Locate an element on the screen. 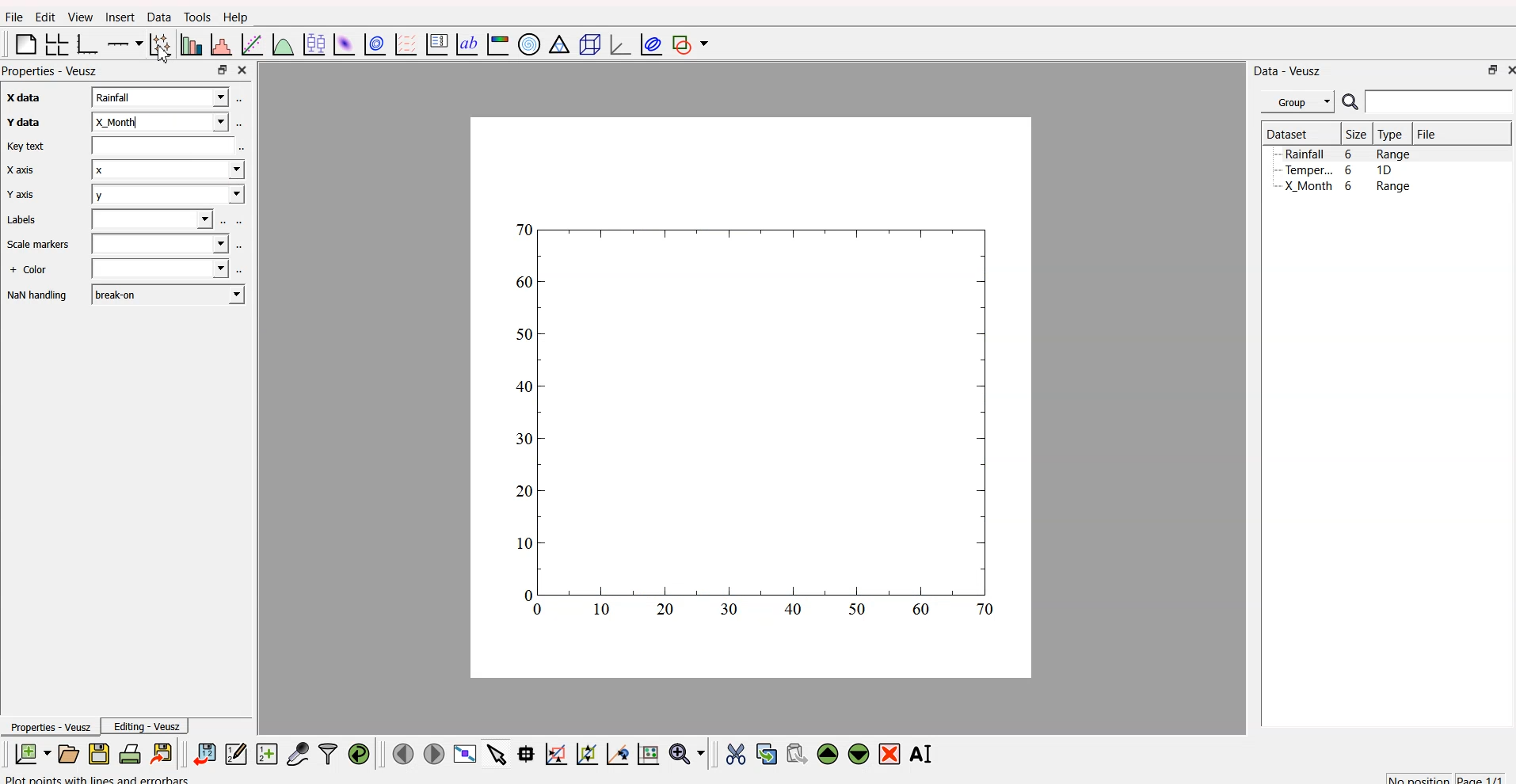  rename the selected widget is located at coordinates (924, 753).